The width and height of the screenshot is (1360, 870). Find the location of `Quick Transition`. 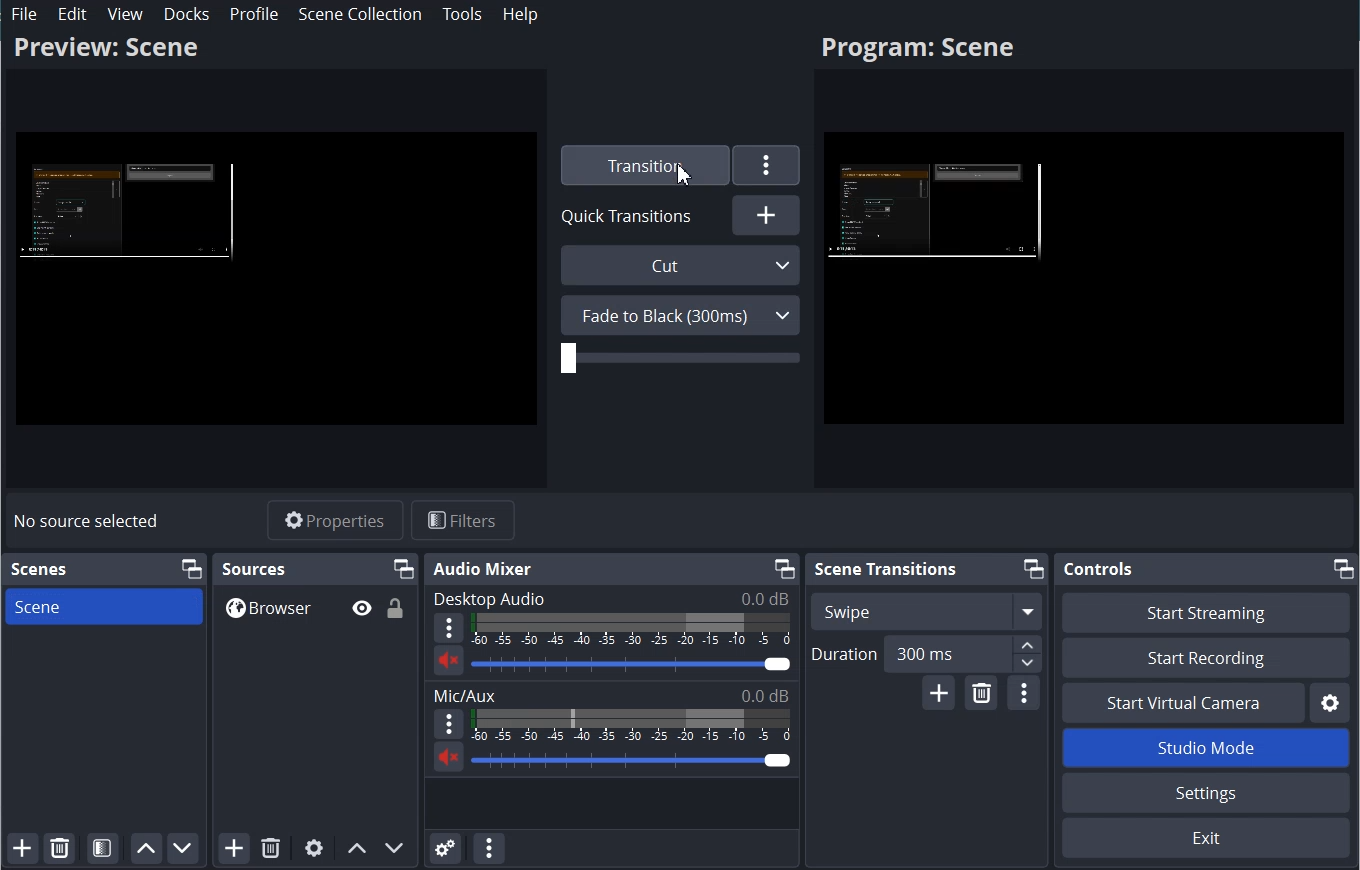

Quick Transition is located at coordinates (633, 215).